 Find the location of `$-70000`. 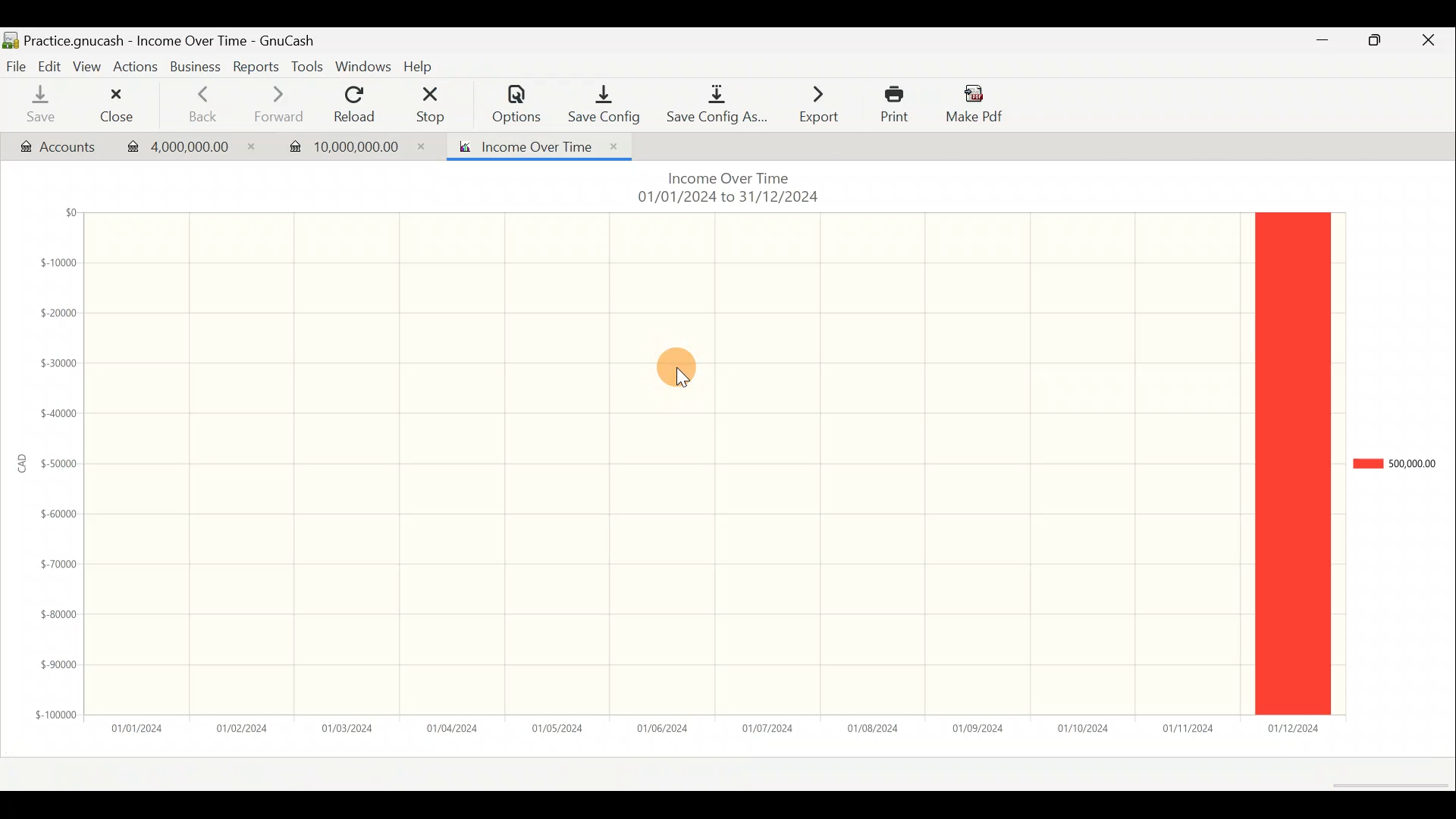

$-70000 is located at coordinates (58, 563).